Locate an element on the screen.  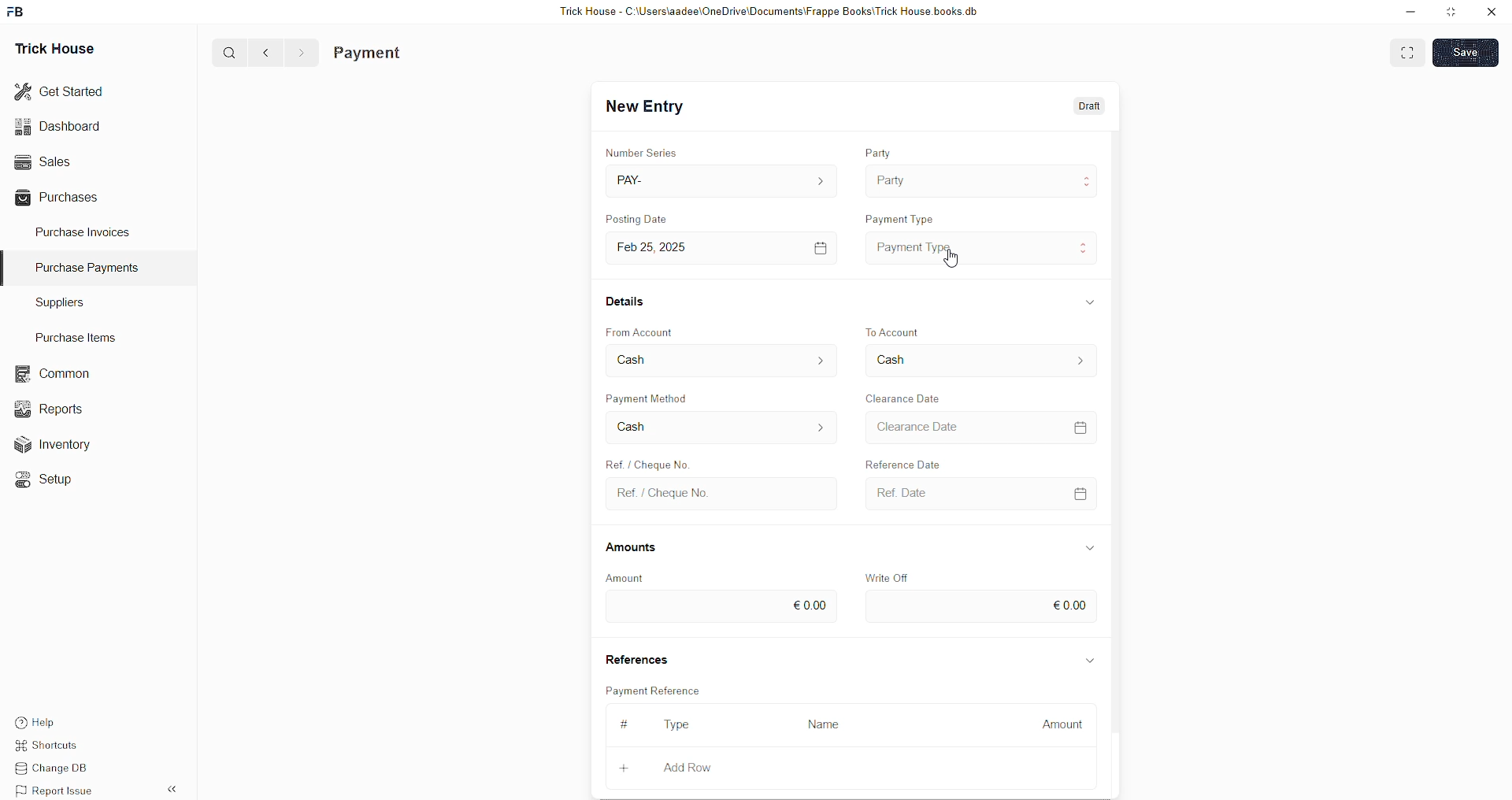
Add Row is located at coordinates (688, 767).